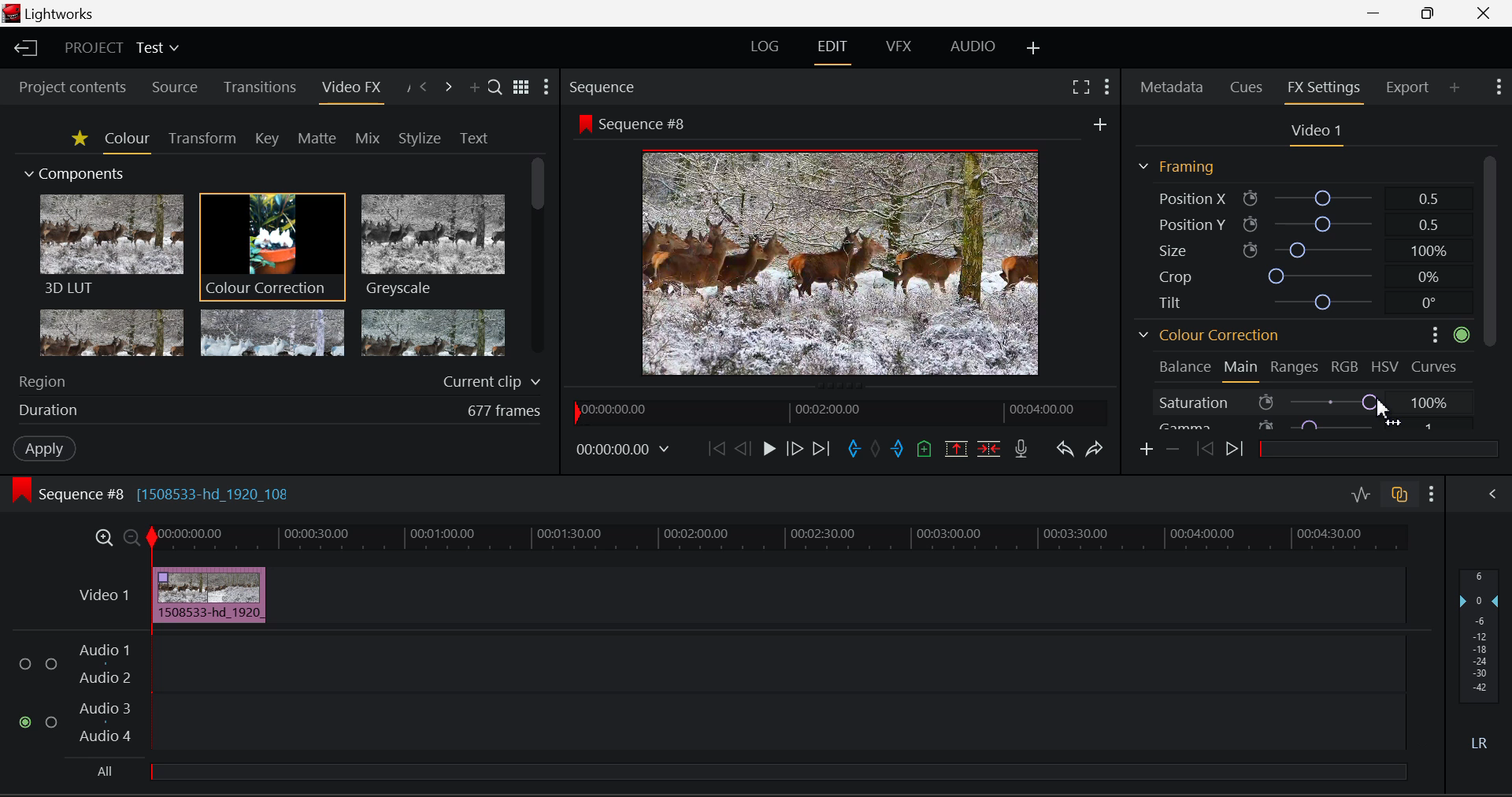  Describe the element at coordinates (1314, 132) in the screenshot. I see `Video Settings` at that location.